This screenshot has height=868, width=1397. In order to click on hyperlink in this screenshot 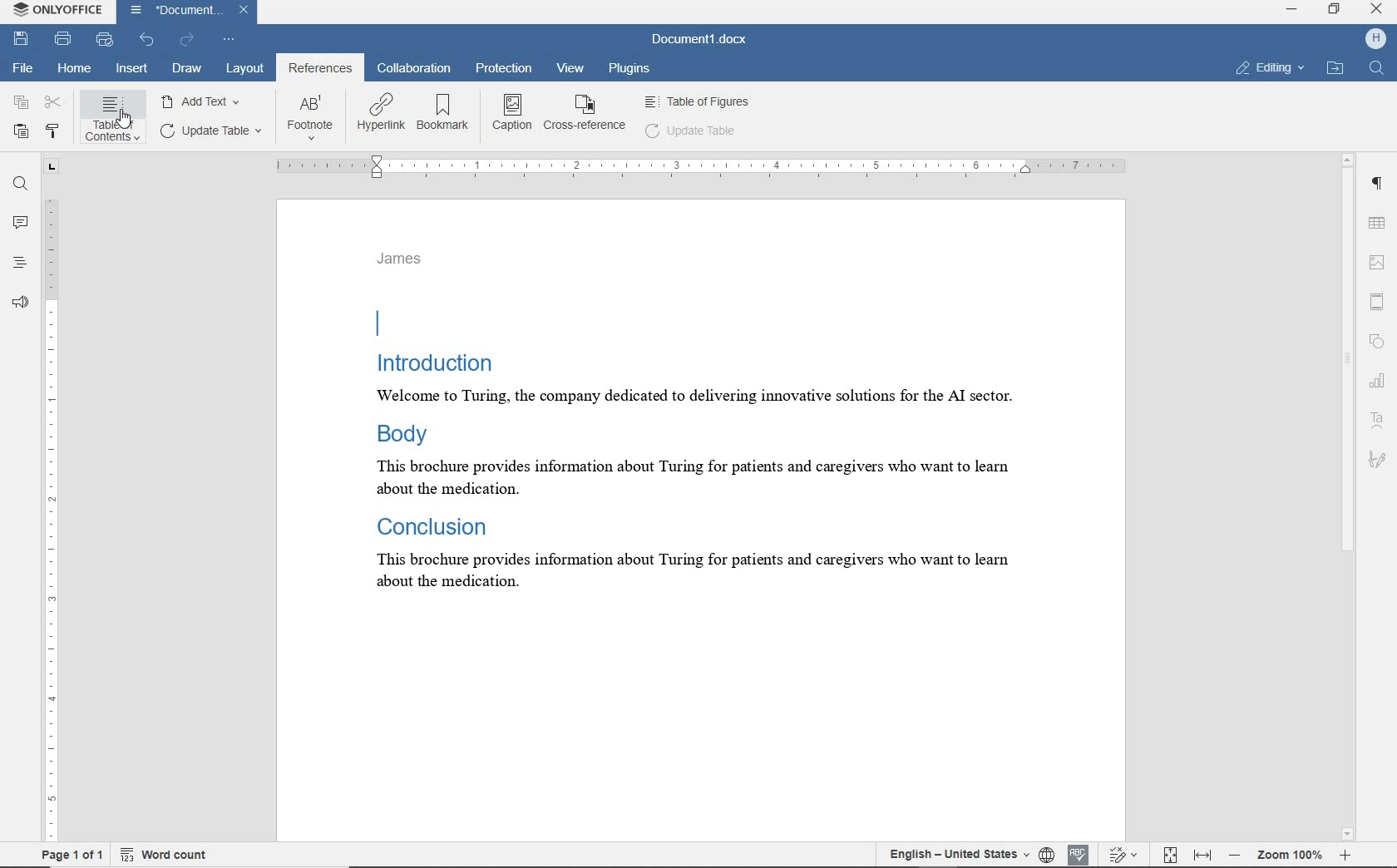, I will do `click(380, 114)`.